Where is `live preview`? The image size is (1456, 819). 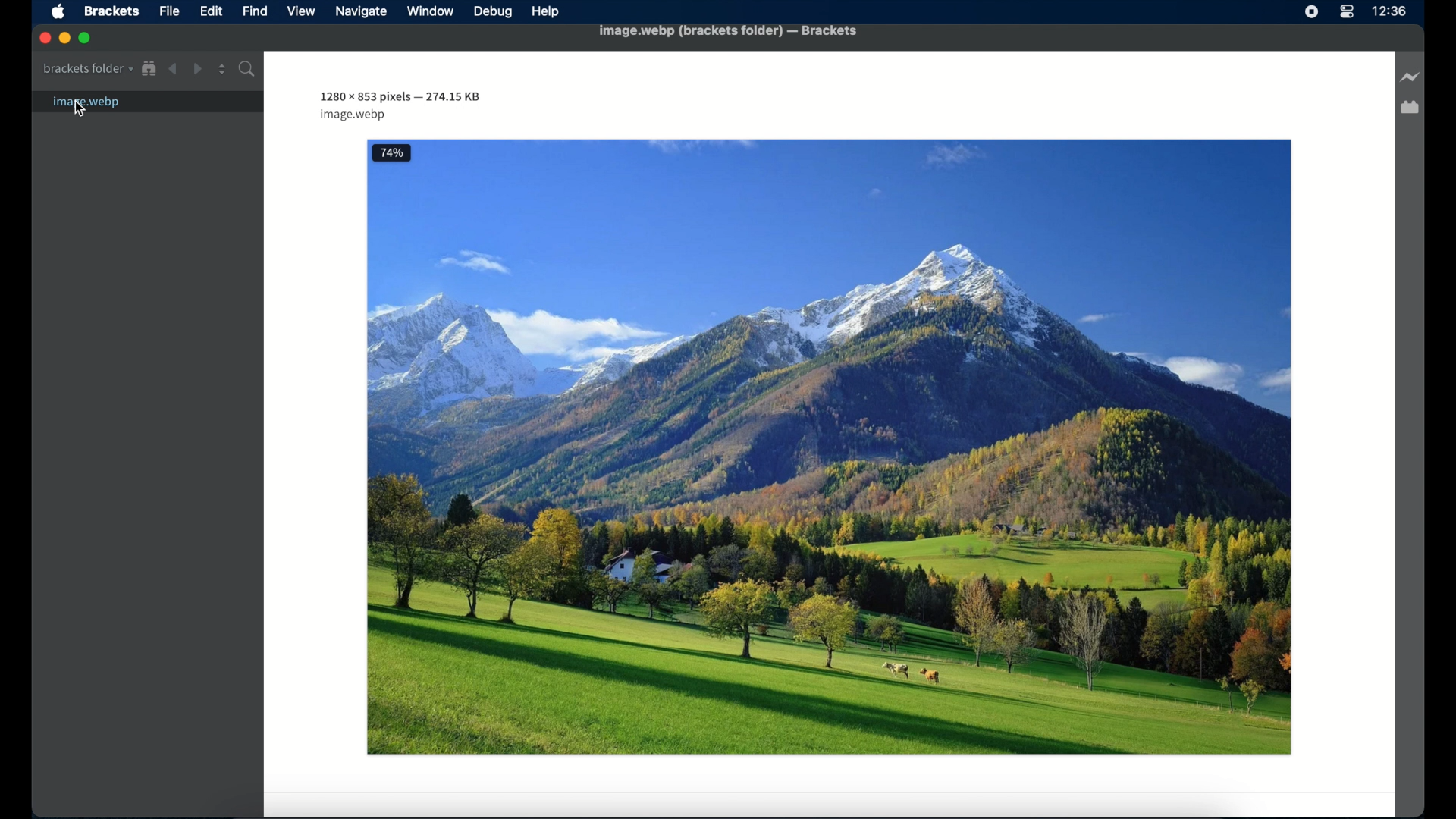 live preview is located at coordinates (1410, 77).